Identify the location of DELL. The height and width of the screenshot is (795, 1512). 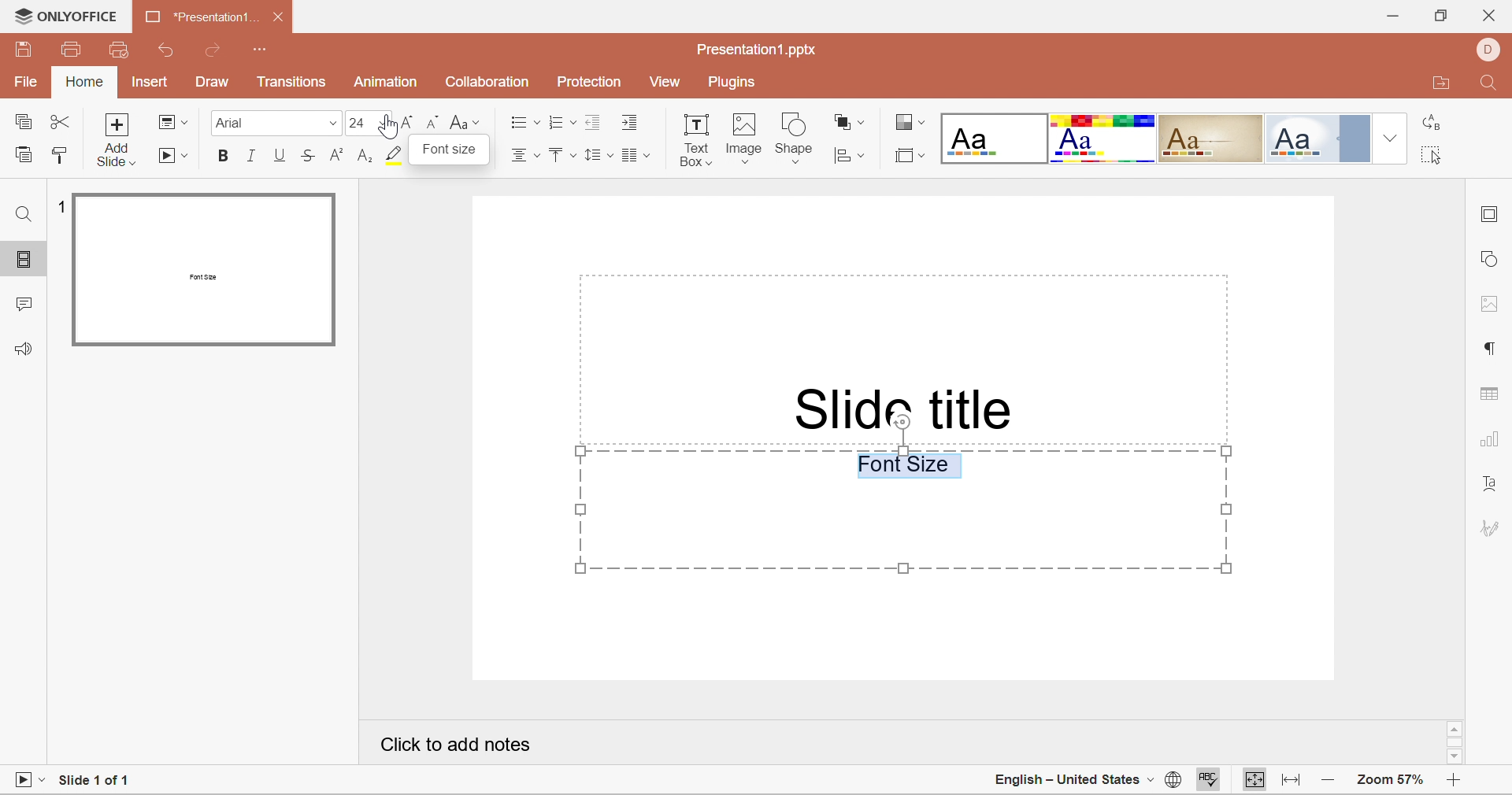
(1489, 49).